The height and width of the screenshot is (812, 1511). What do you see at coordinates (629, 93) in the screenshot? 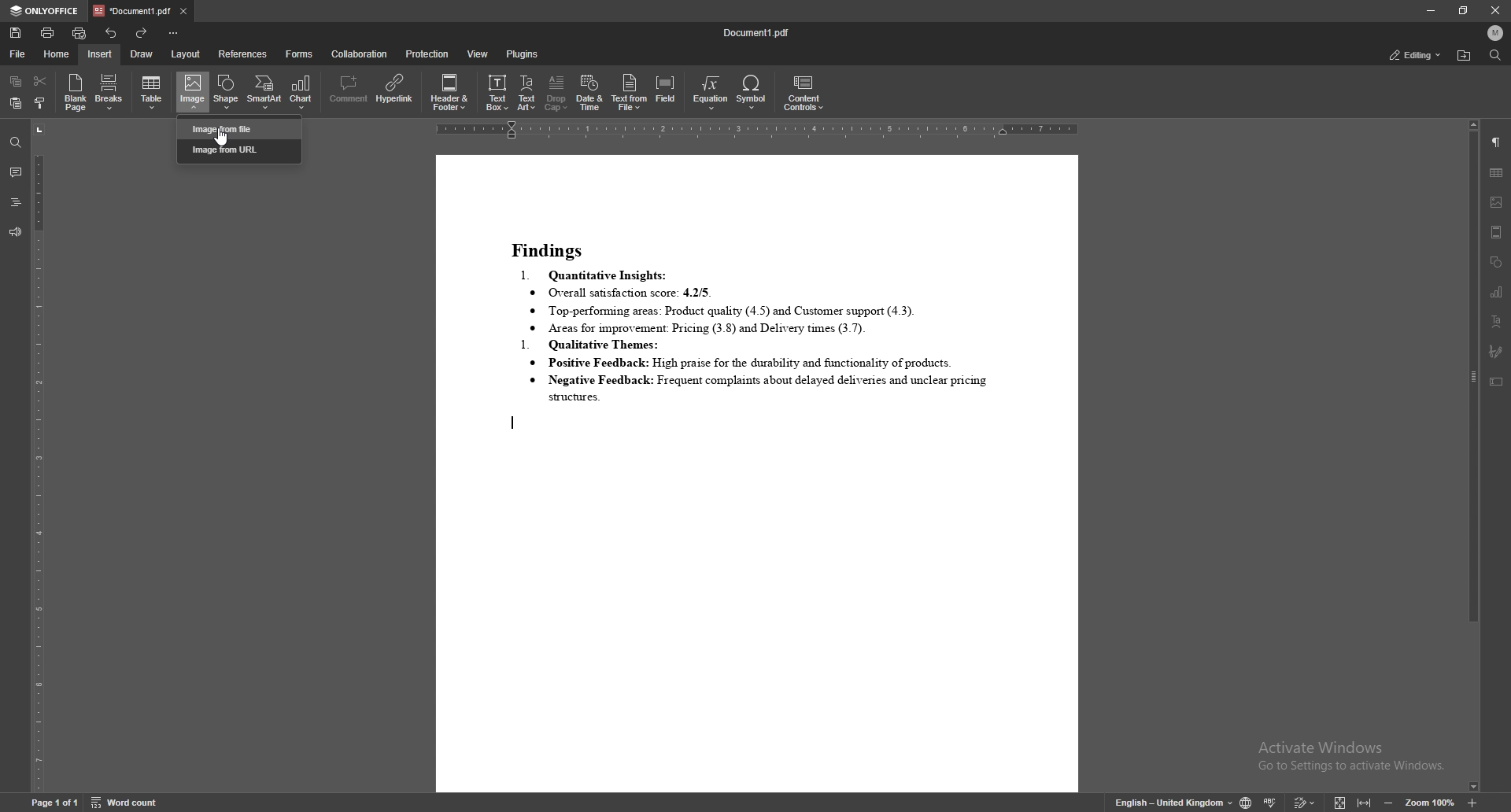
I see `text from file` at bounding box center [629, 93].